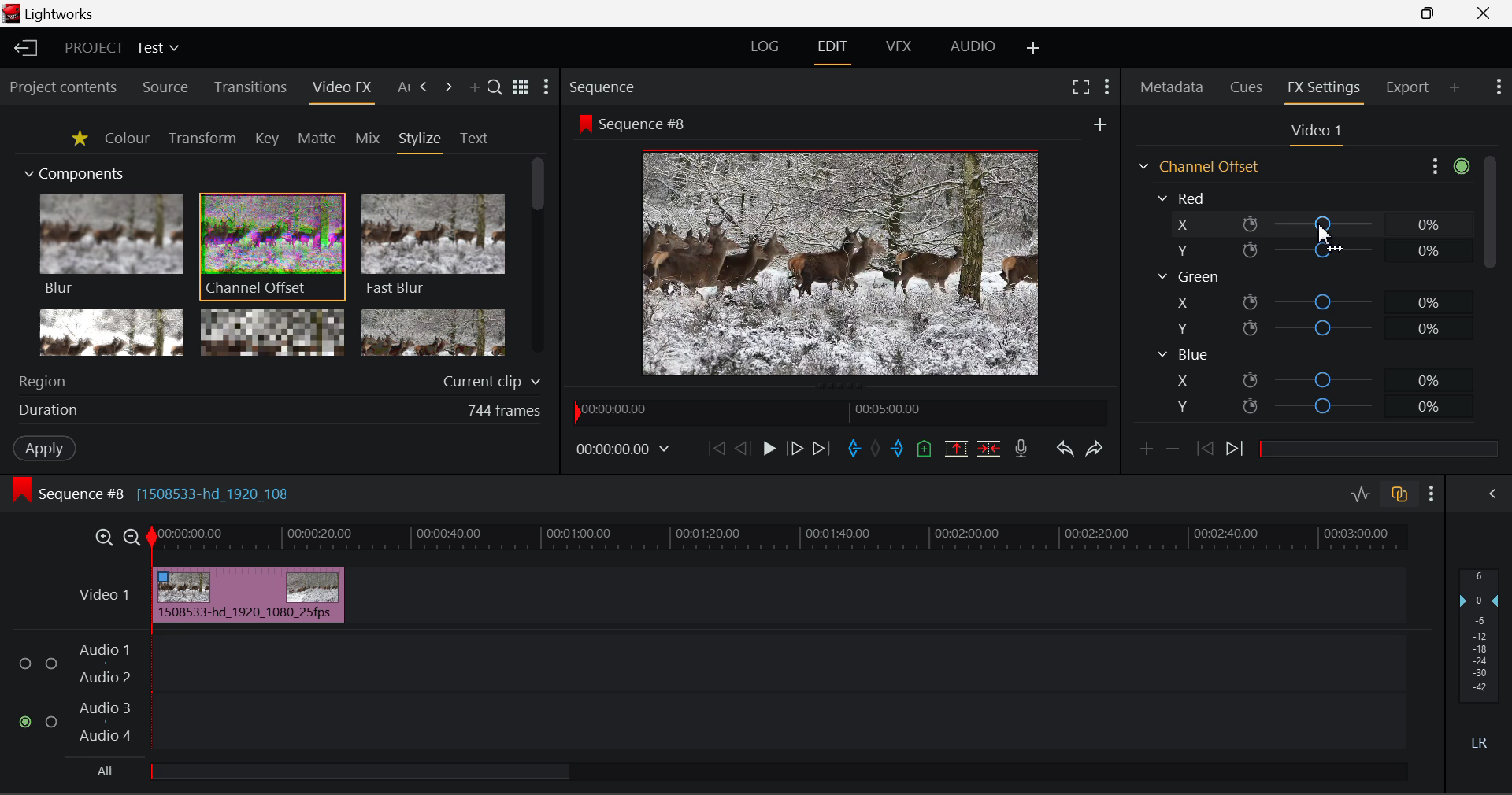  I want to click on Minimize, so click(1431, 13).